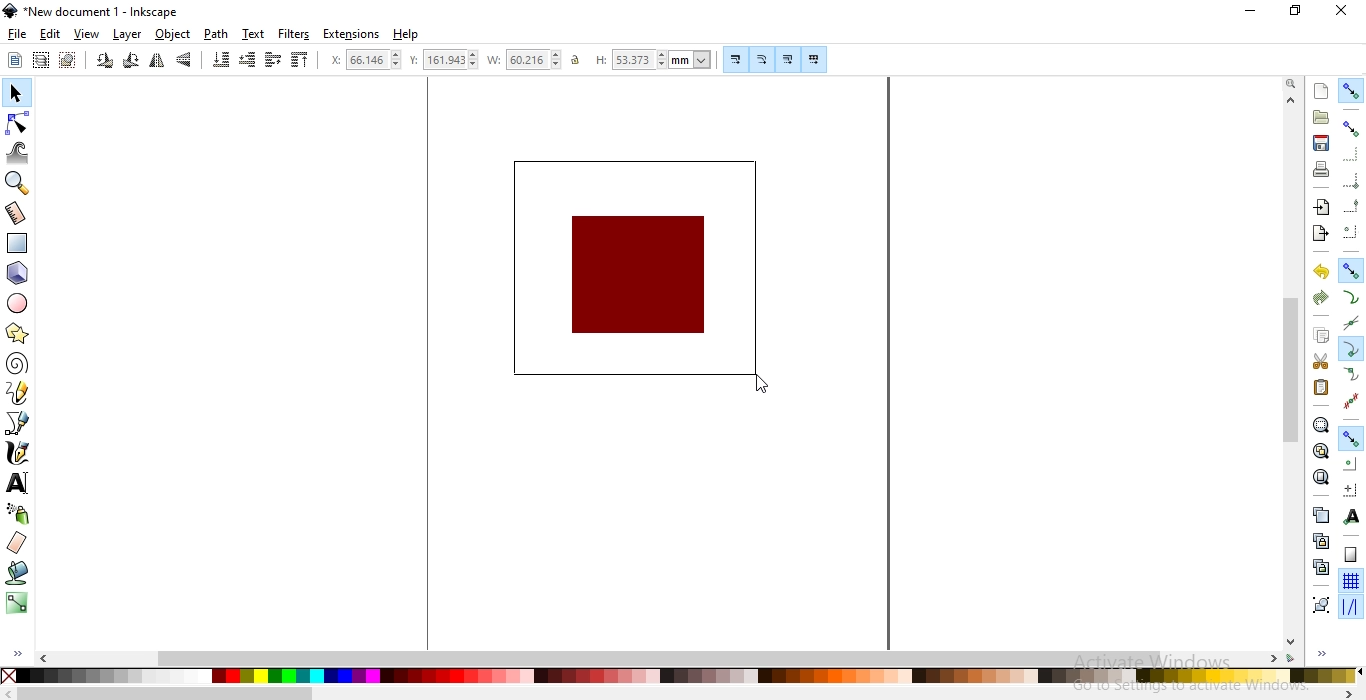 This screenshot has width=1366, height=700. I want to click on edit, so click(50, 33).